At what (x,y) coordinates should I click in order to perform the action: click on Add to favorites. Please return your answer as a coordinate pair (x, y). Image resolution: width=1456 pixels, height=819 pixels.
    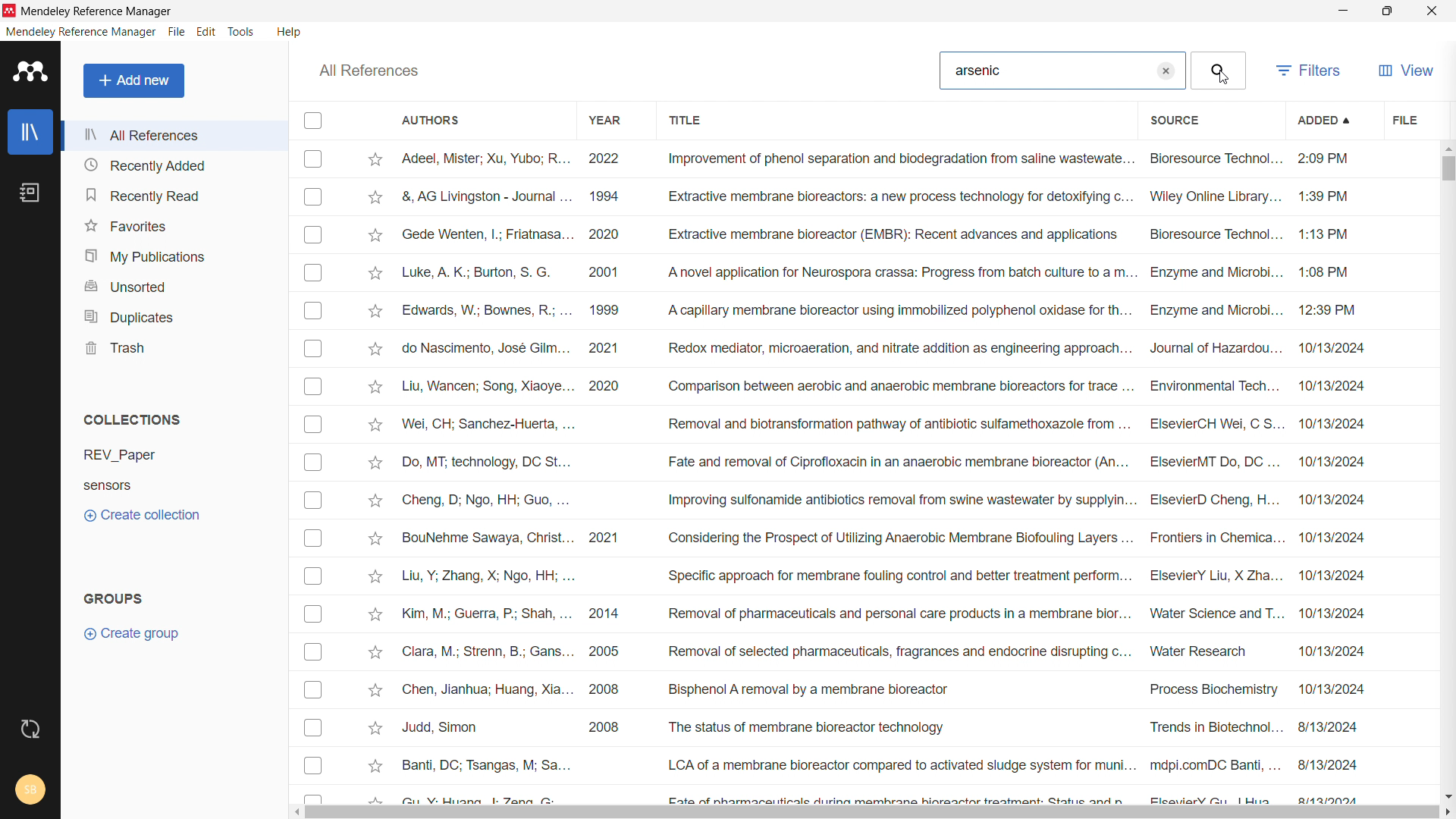
    Looking at the image, I should click on (374, 425).